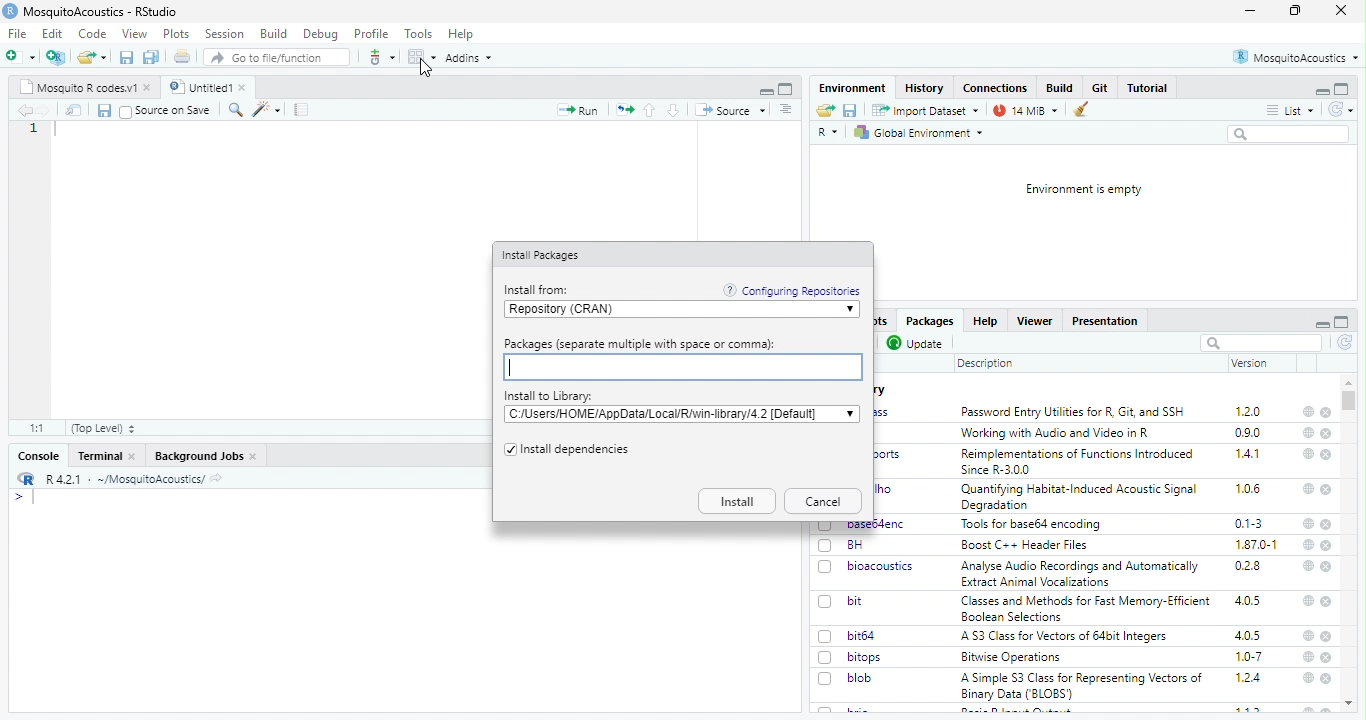 The width and height of the screenshot is (1366, 720). What do you see at coordinates (1249, 412) in the screenshot?
I see `120` at bounding box center [1249, 412].